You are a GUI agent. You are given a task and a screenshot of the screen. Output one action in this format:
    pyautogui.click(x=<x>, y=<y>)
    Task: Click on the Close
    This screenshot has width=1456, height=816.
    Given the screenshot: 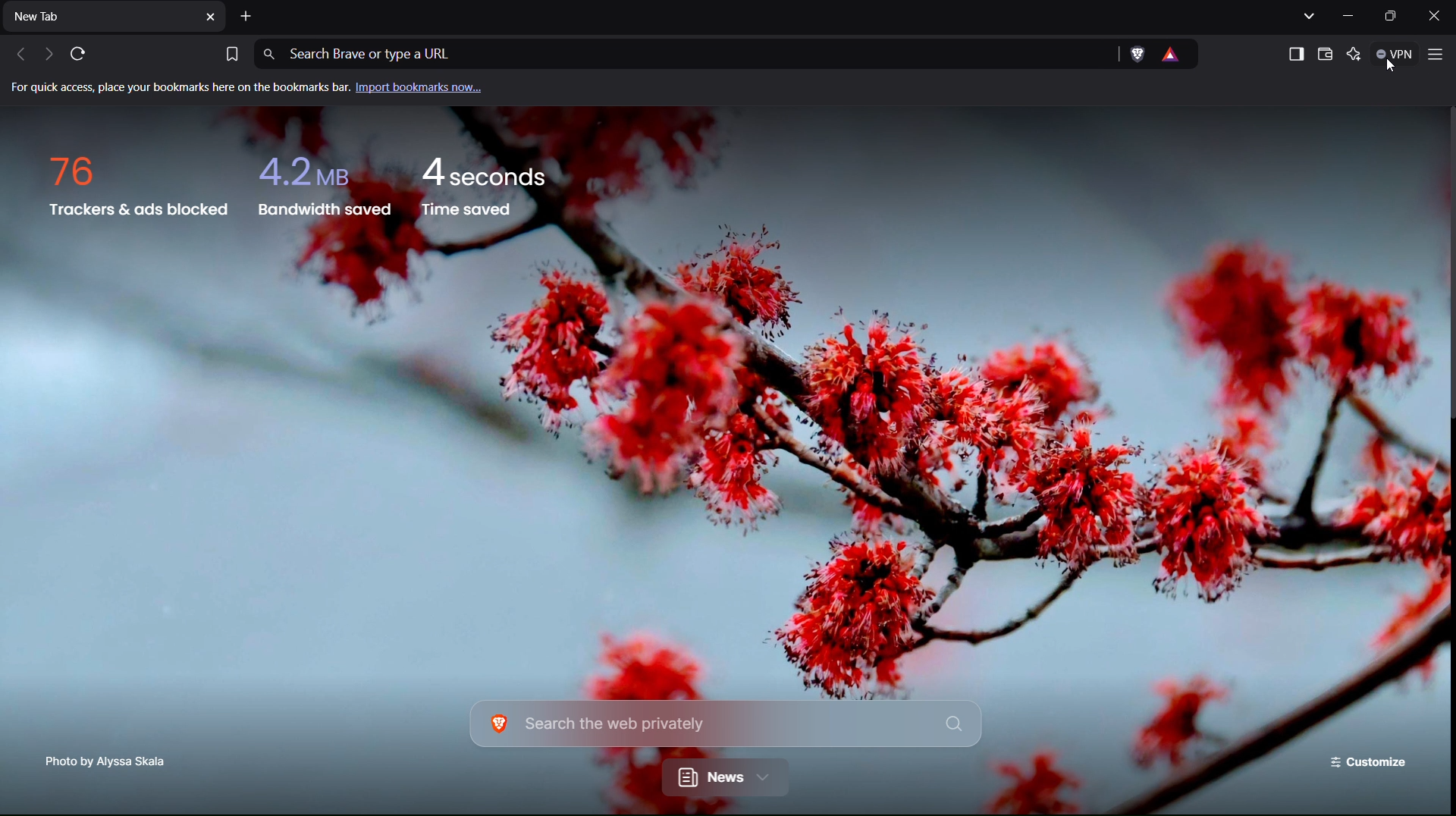 What is the action you would take?
    pyautogui.click(x=1439, y=16)
    